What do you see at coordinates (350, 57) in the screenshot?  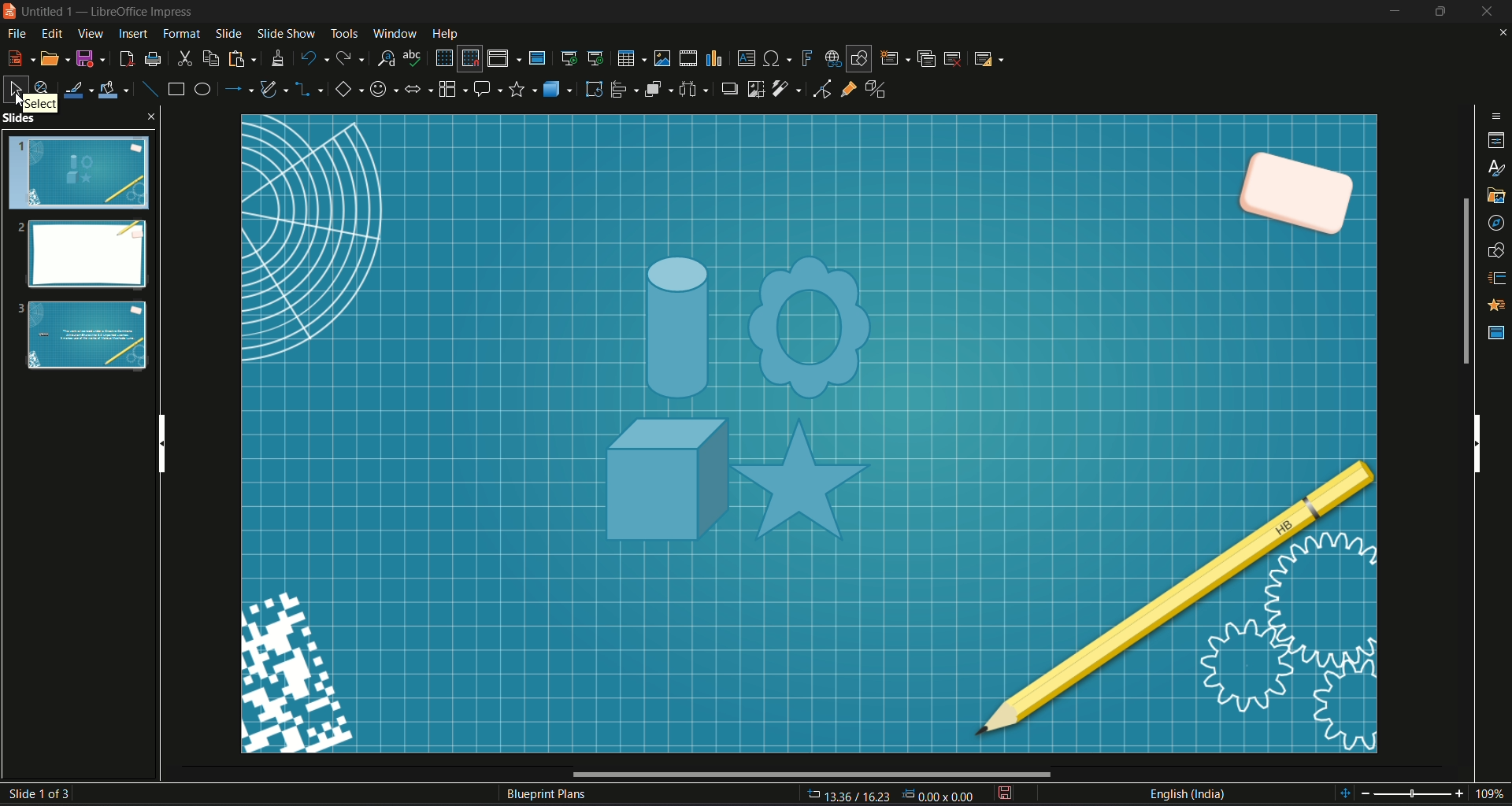 I see `redo` at bounding box center [350, 57].